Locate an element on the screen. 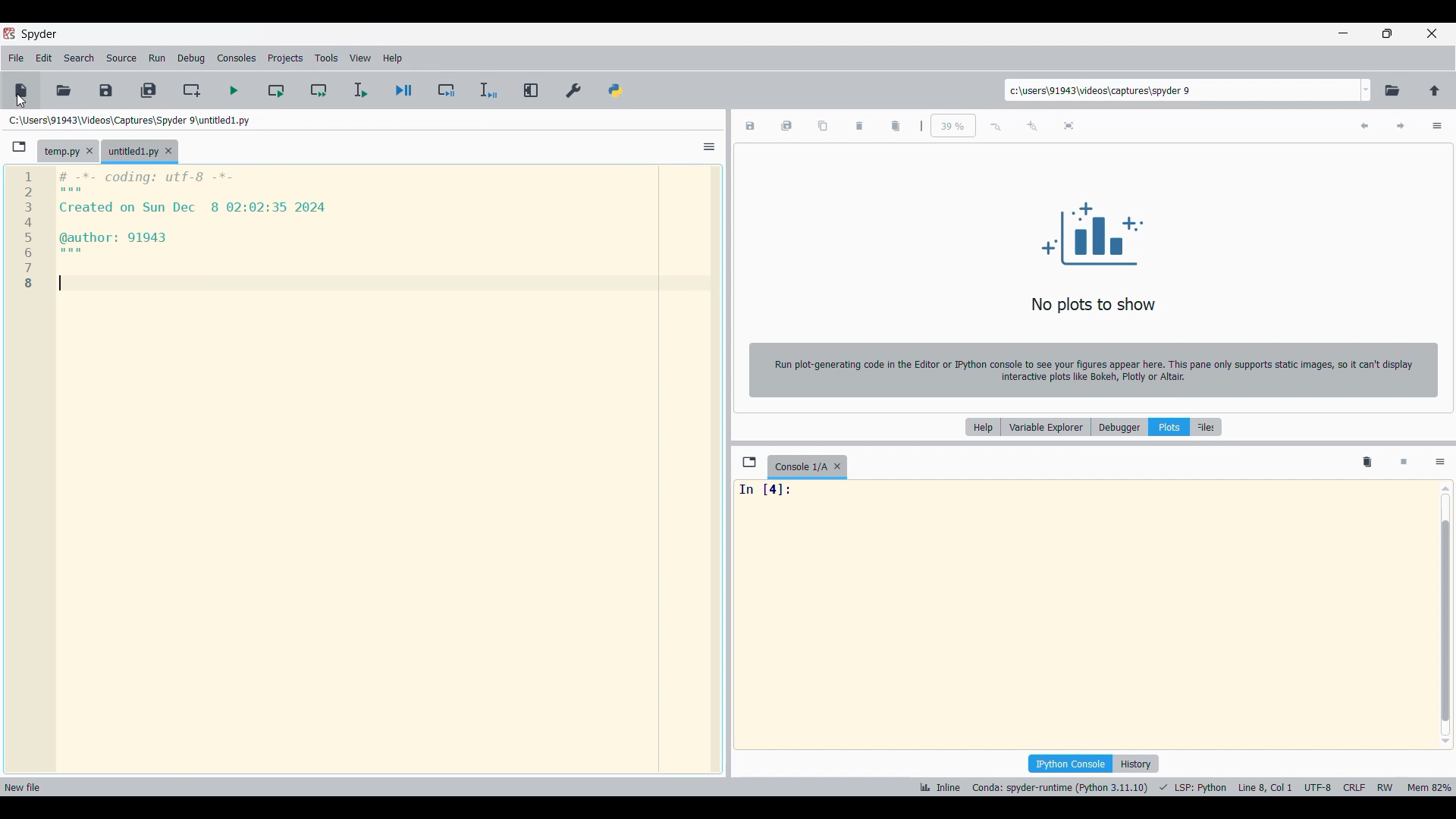 The width and height of the screenshot is (1456, 819). Save is located at coordinates (105, 89).